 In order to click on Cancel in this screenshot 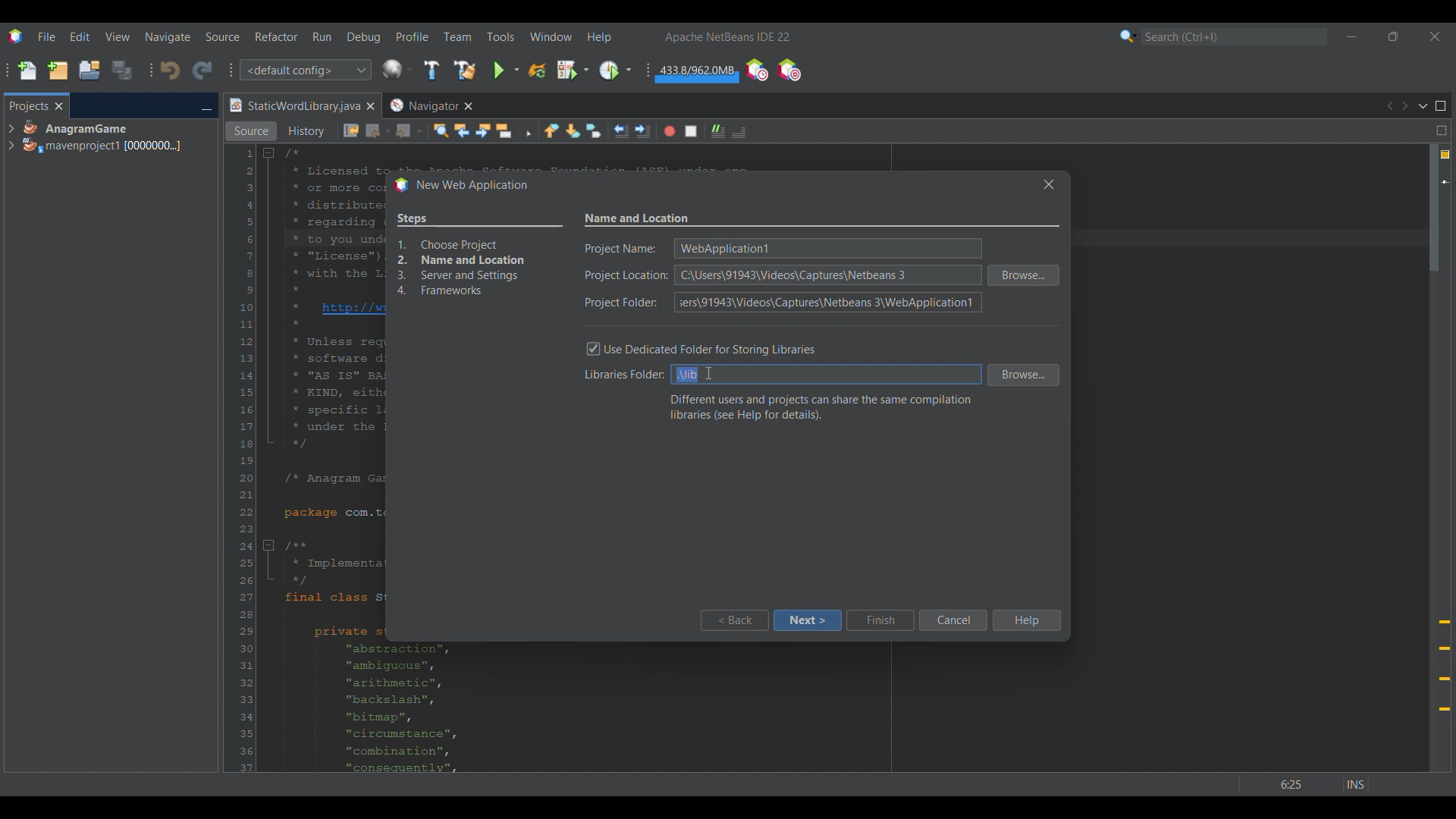, I will do `click(952, 620)`.